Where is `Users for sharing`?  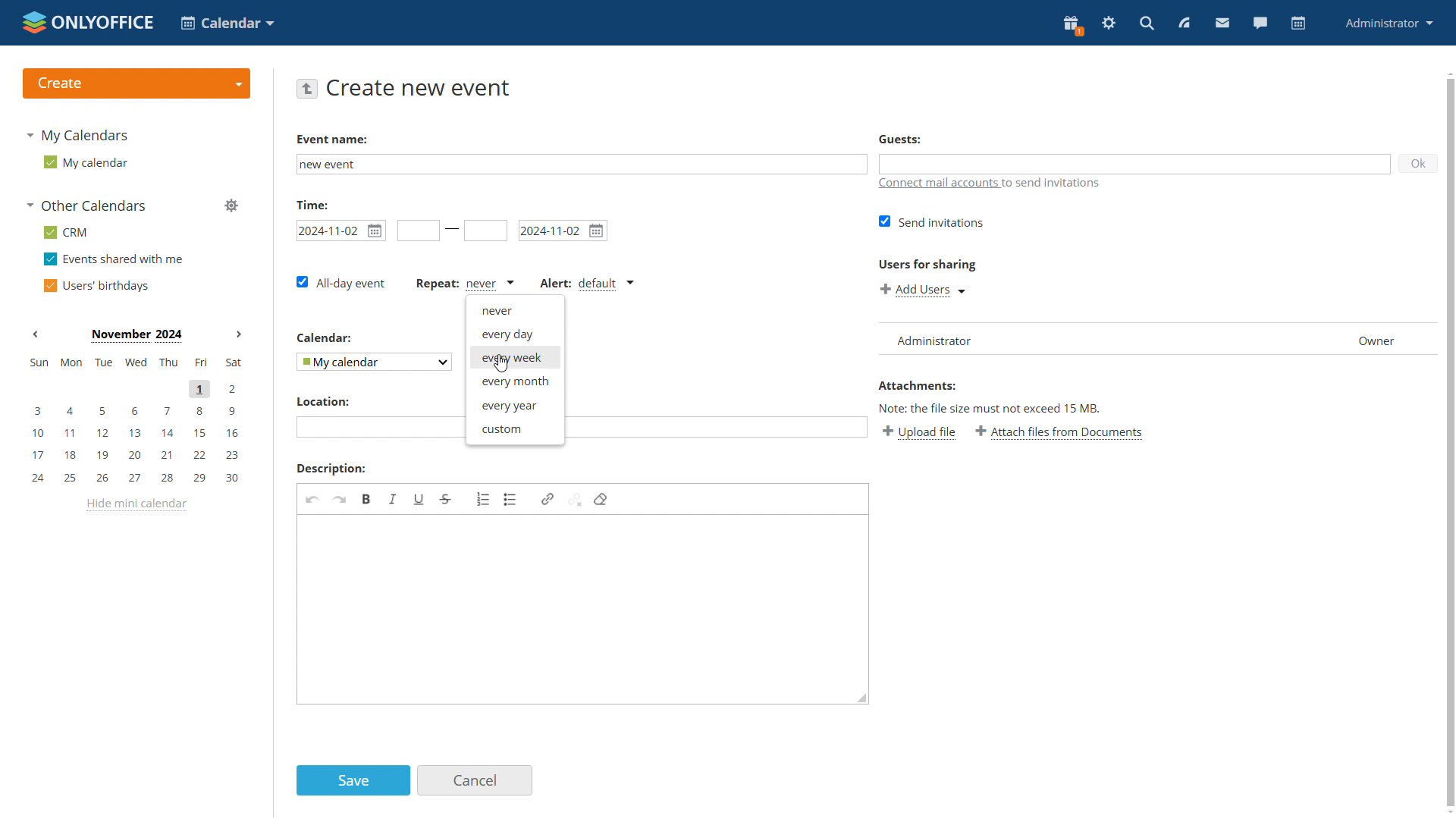
Users for sharing is located at coordinates (925, 262).